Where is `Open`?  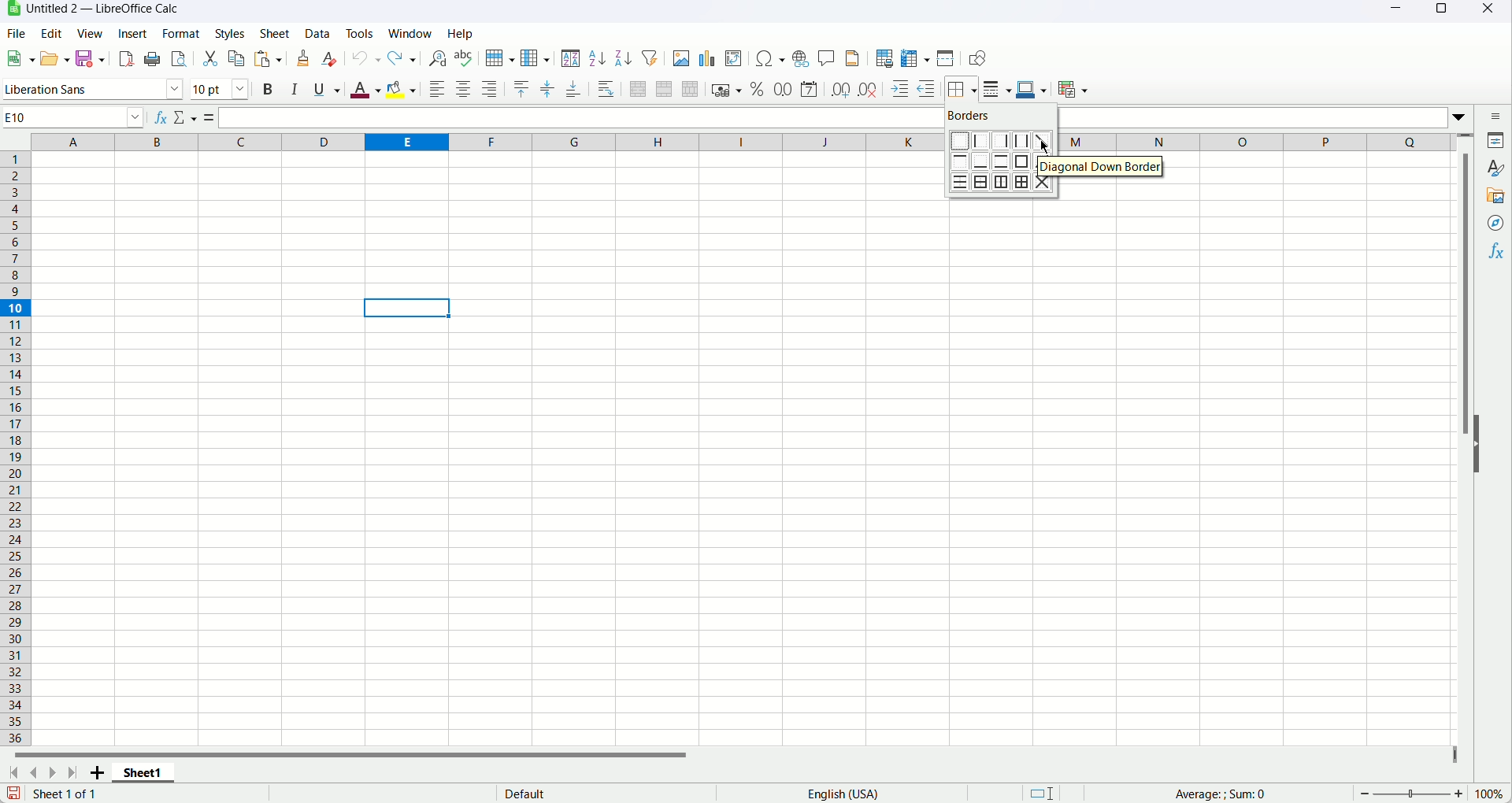
Open is located at coordinates (56, 59).